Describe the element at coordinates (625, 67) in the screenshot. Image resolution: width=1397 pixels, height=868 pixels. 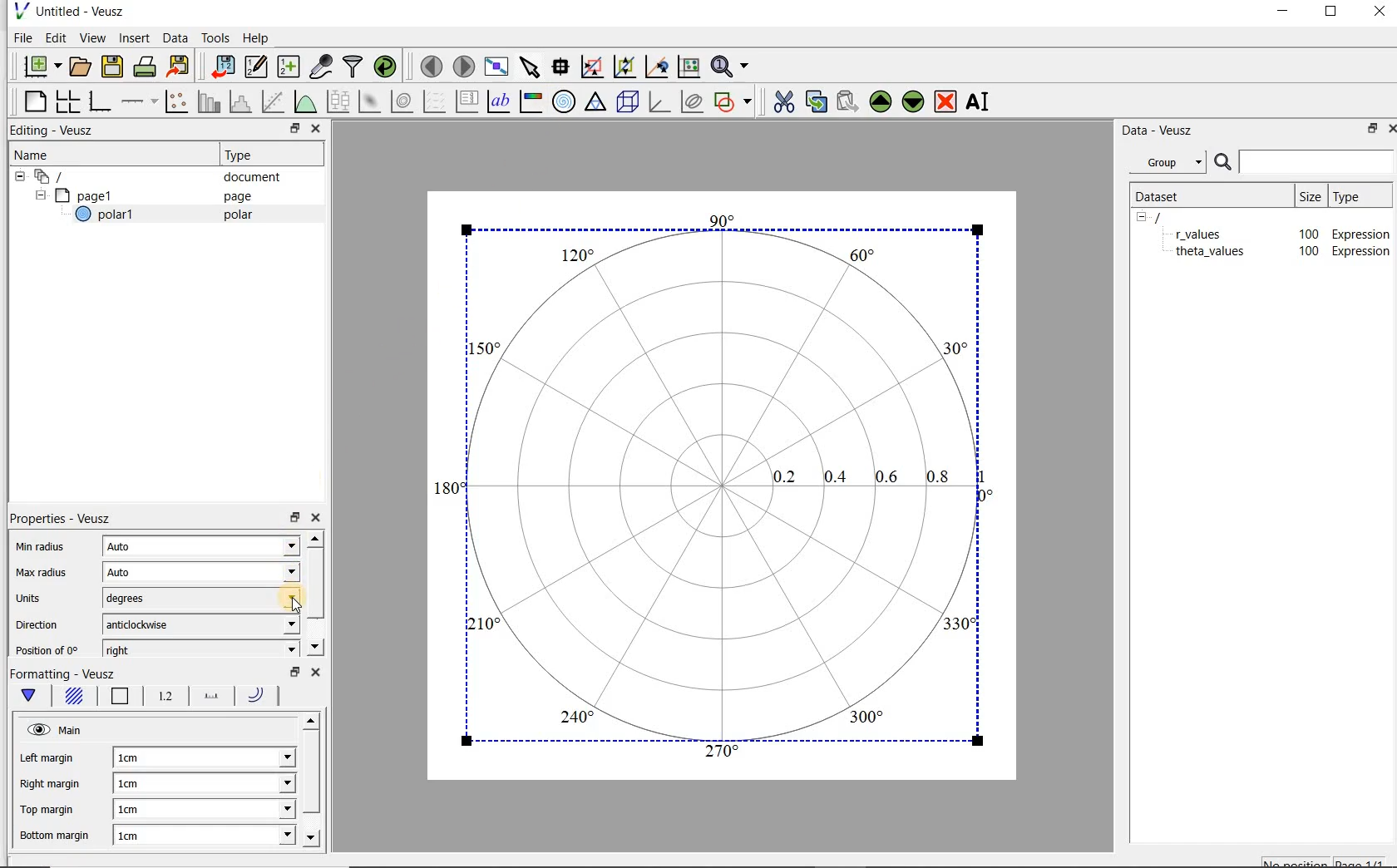
I see `click to zoom out of graph axes` at that location.